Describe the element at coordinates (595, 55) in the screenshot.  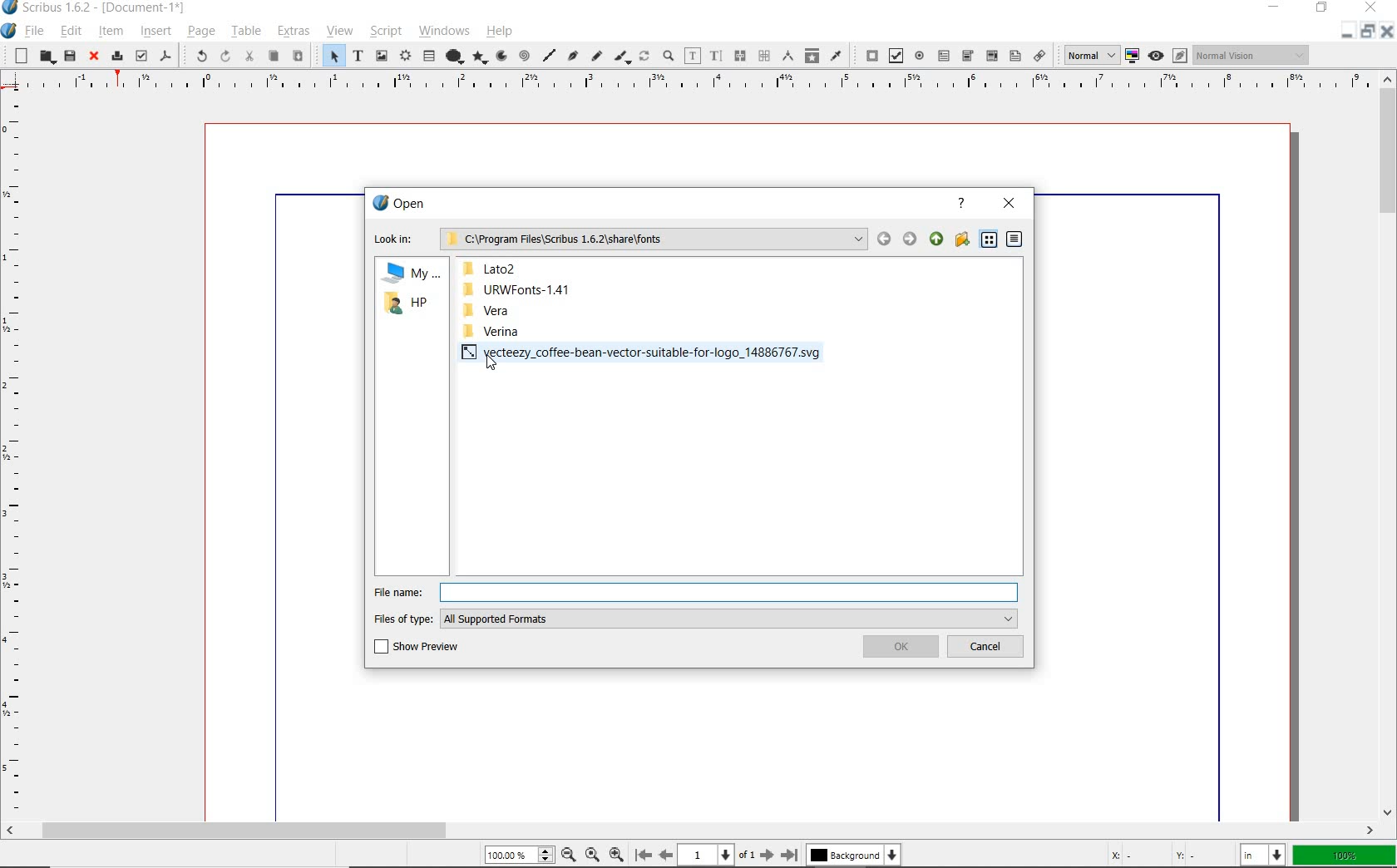
I see `freehand line` at that location.